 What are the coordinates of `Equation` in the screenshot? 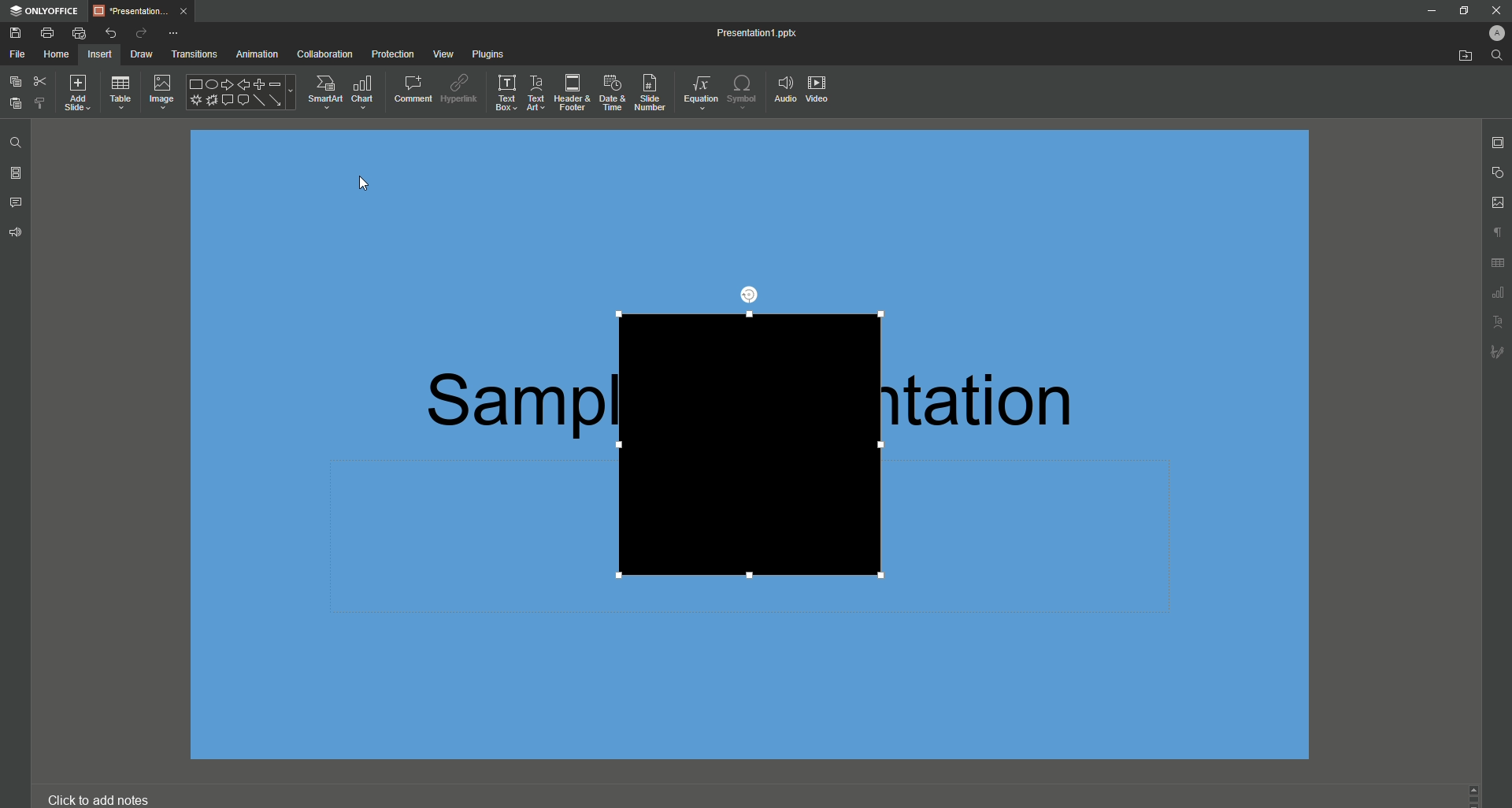 It's located at (696, 89).